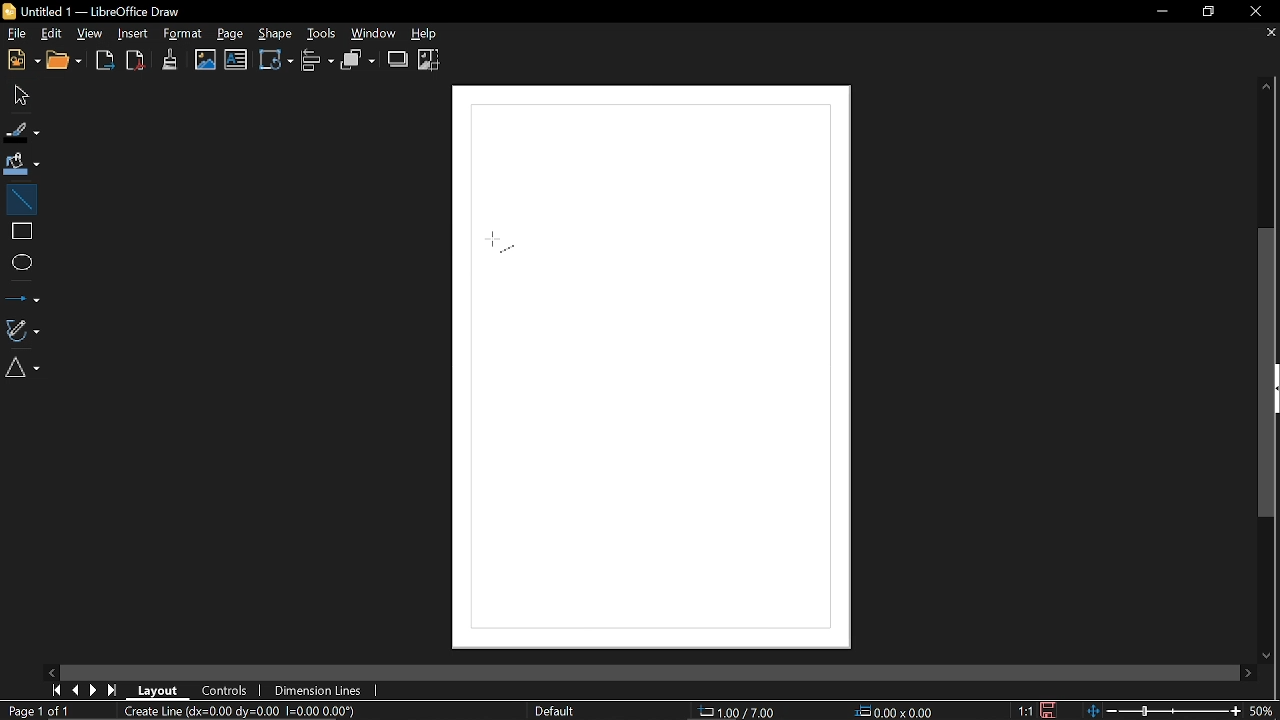 Image resolution: width=1280 pixels, height=720 pixels. What do you see at coordinates (38, 711) in the screenshot?
I see `Current page` at bounding box center [38, 711].